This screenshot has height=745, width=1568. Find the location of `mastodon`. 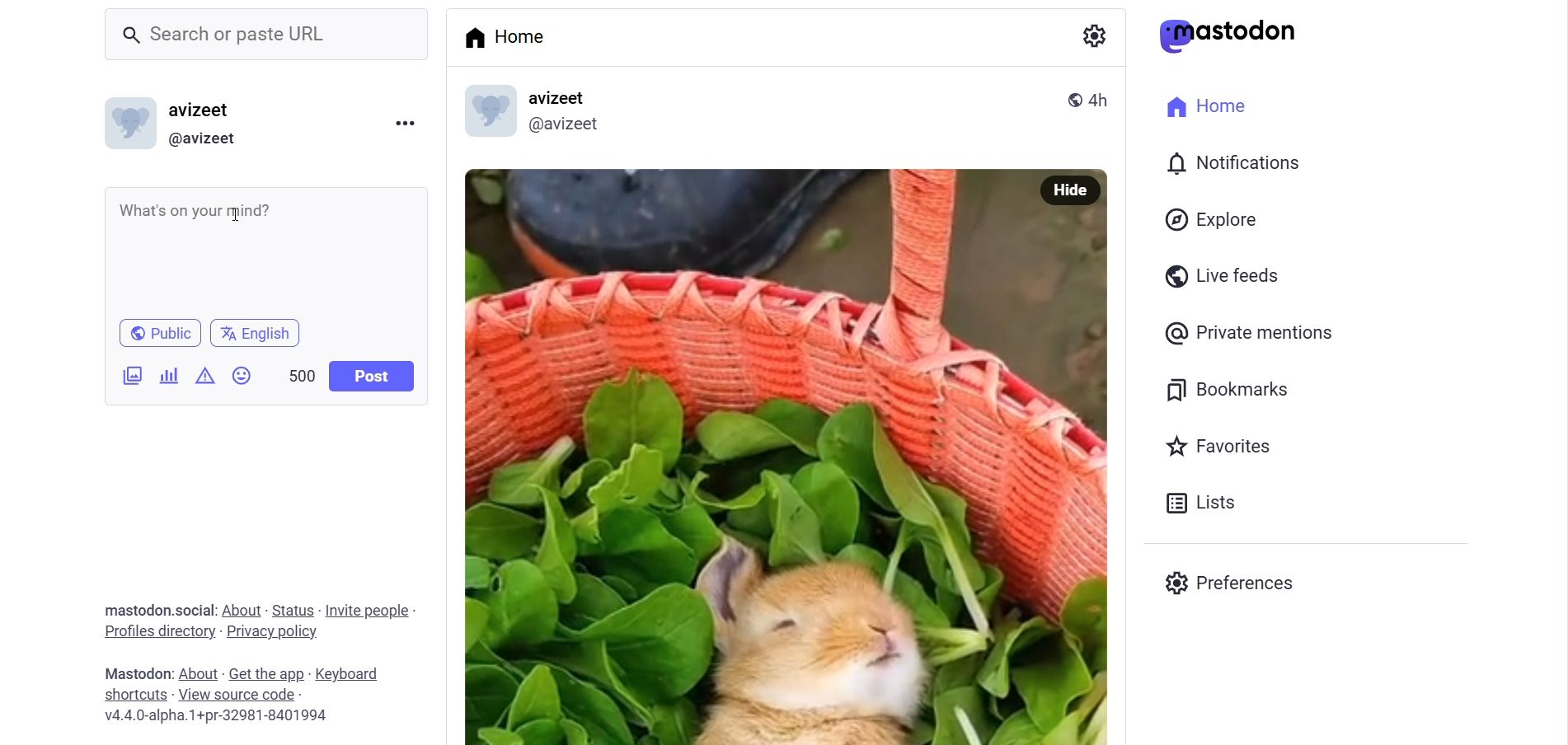

mastodon is located at coordinates (135, 673).